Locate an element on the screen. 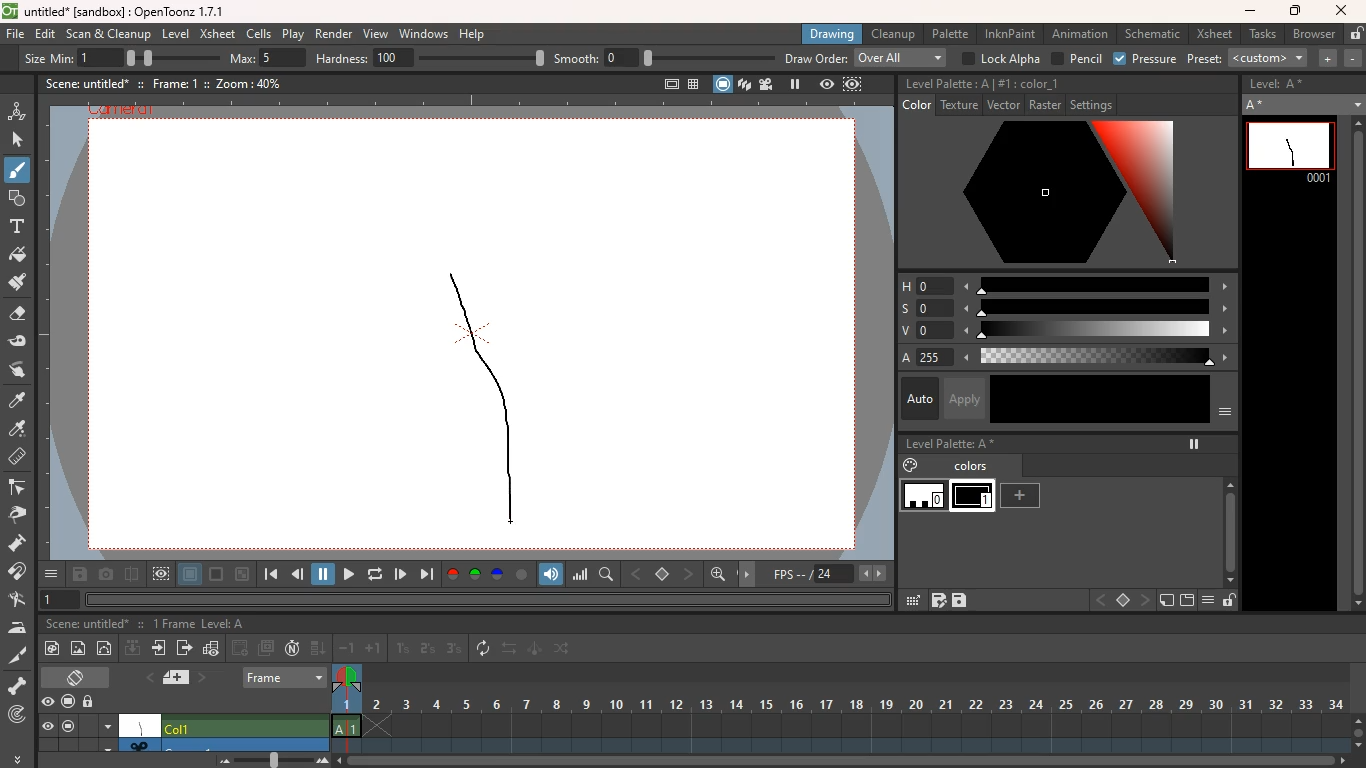 The height and width of the screenshot is (768, 1366). down arrow is located at coordinates (106, 746).